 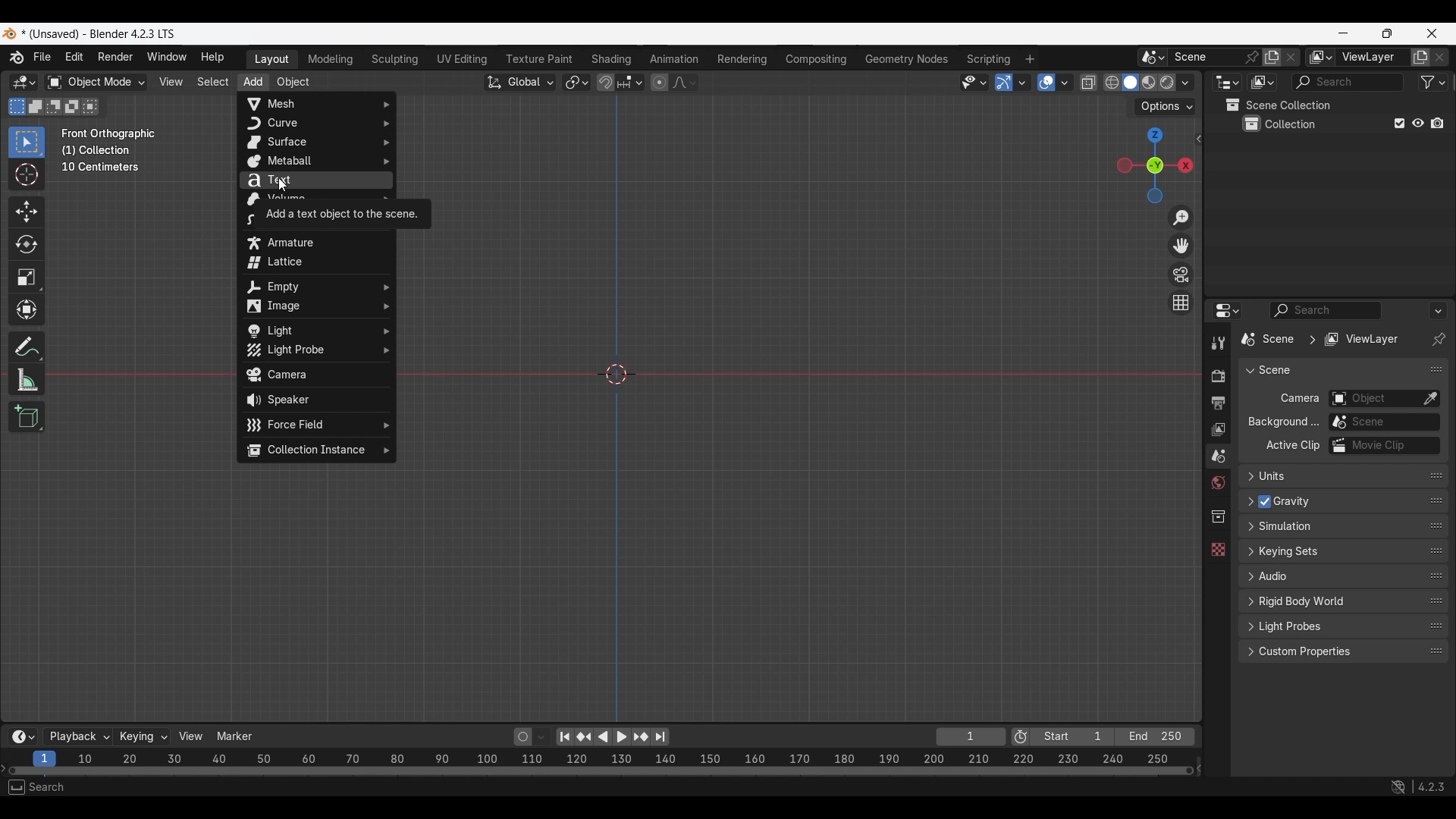 I want to click on Shading workspace , so click(x=613, y=59).